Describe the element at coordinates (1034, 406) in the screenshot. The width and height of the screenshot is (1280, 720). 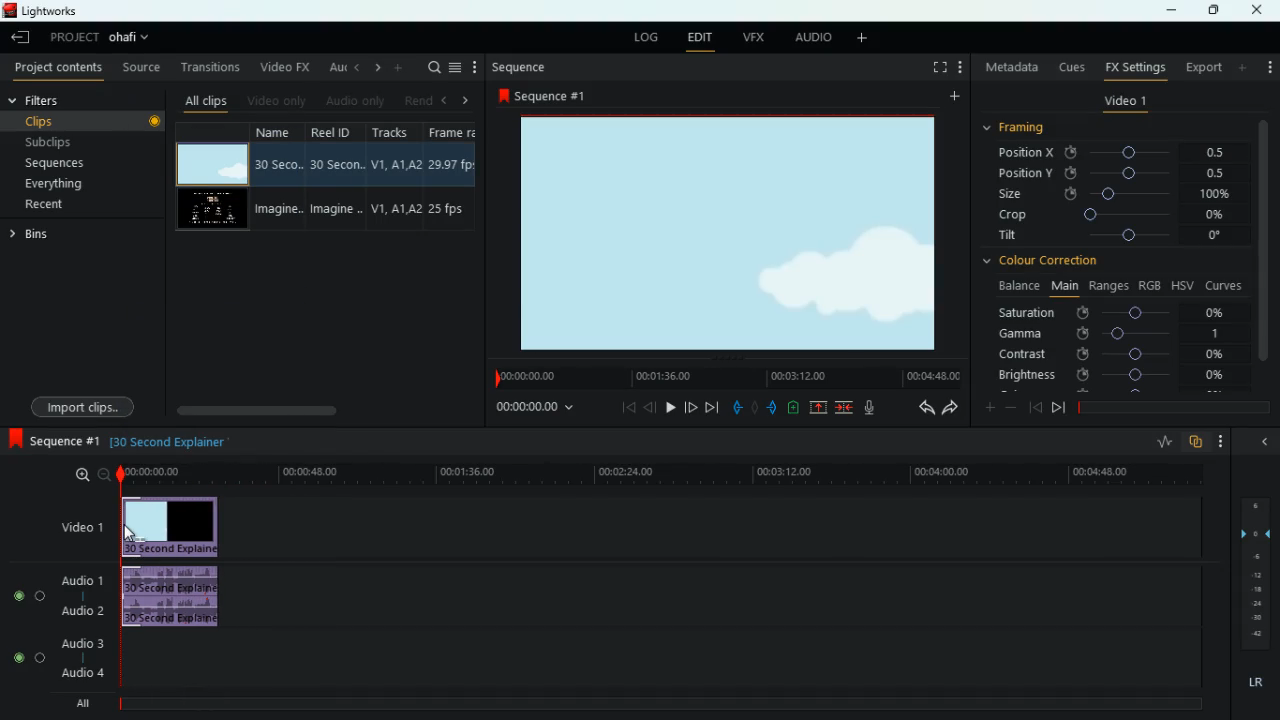
I see `back` at that location.